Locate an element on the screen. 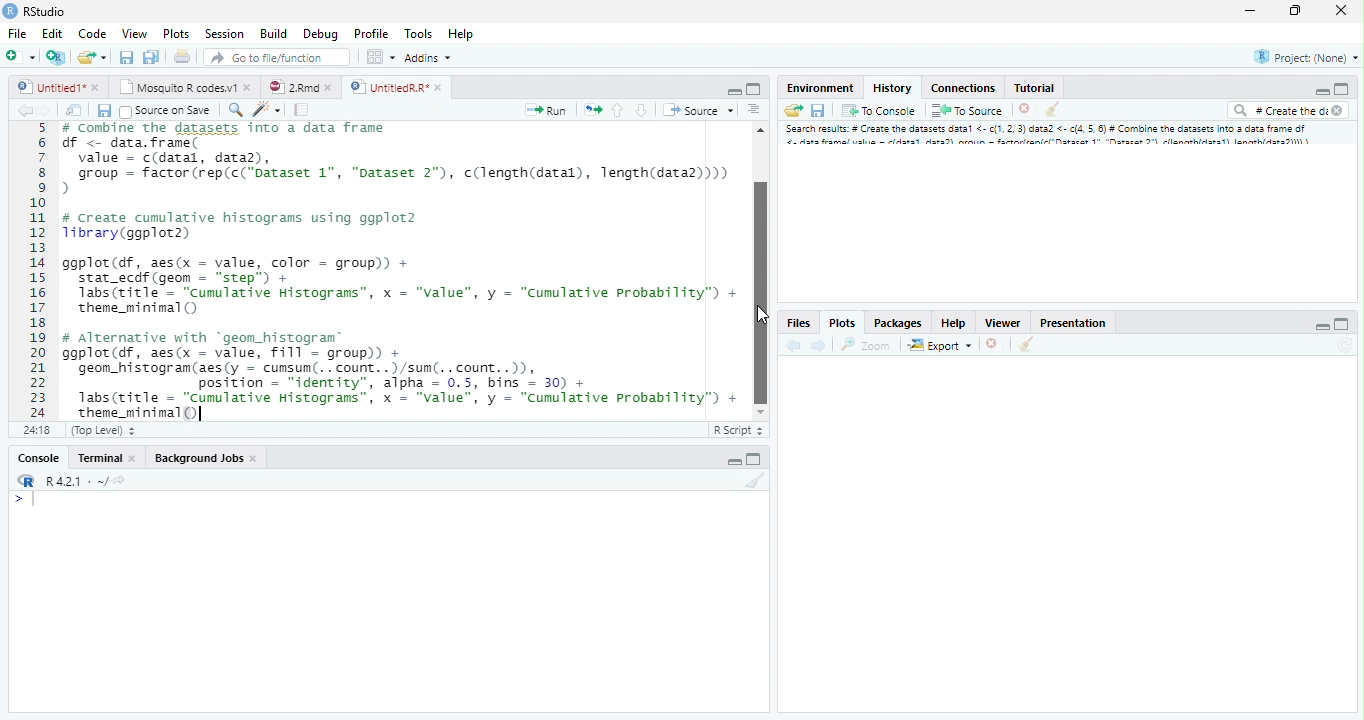  New file is located at coordinates (20, 55).